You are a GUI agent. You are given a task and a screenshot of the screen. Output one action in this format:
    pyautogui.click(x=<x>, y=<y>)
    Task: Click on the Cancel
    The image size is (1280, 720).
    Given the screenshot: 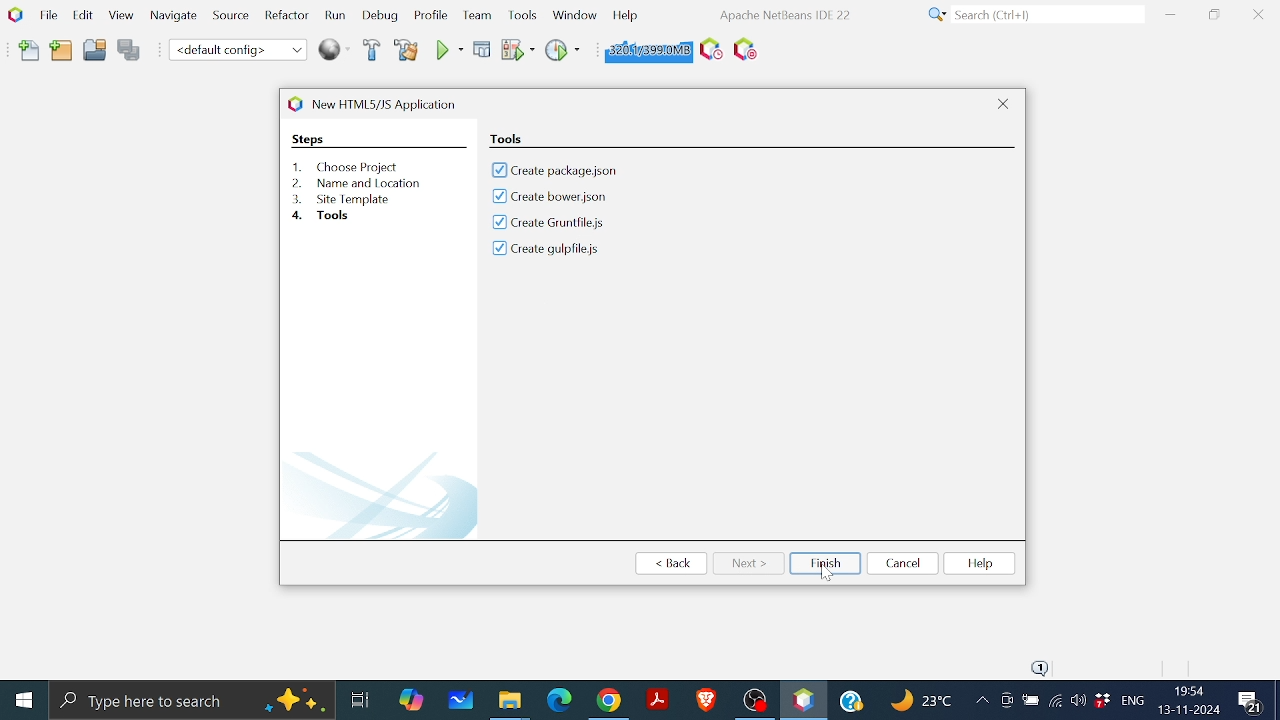 What is the action you would take?
    pyautogui.click(x=903, y=564)
    